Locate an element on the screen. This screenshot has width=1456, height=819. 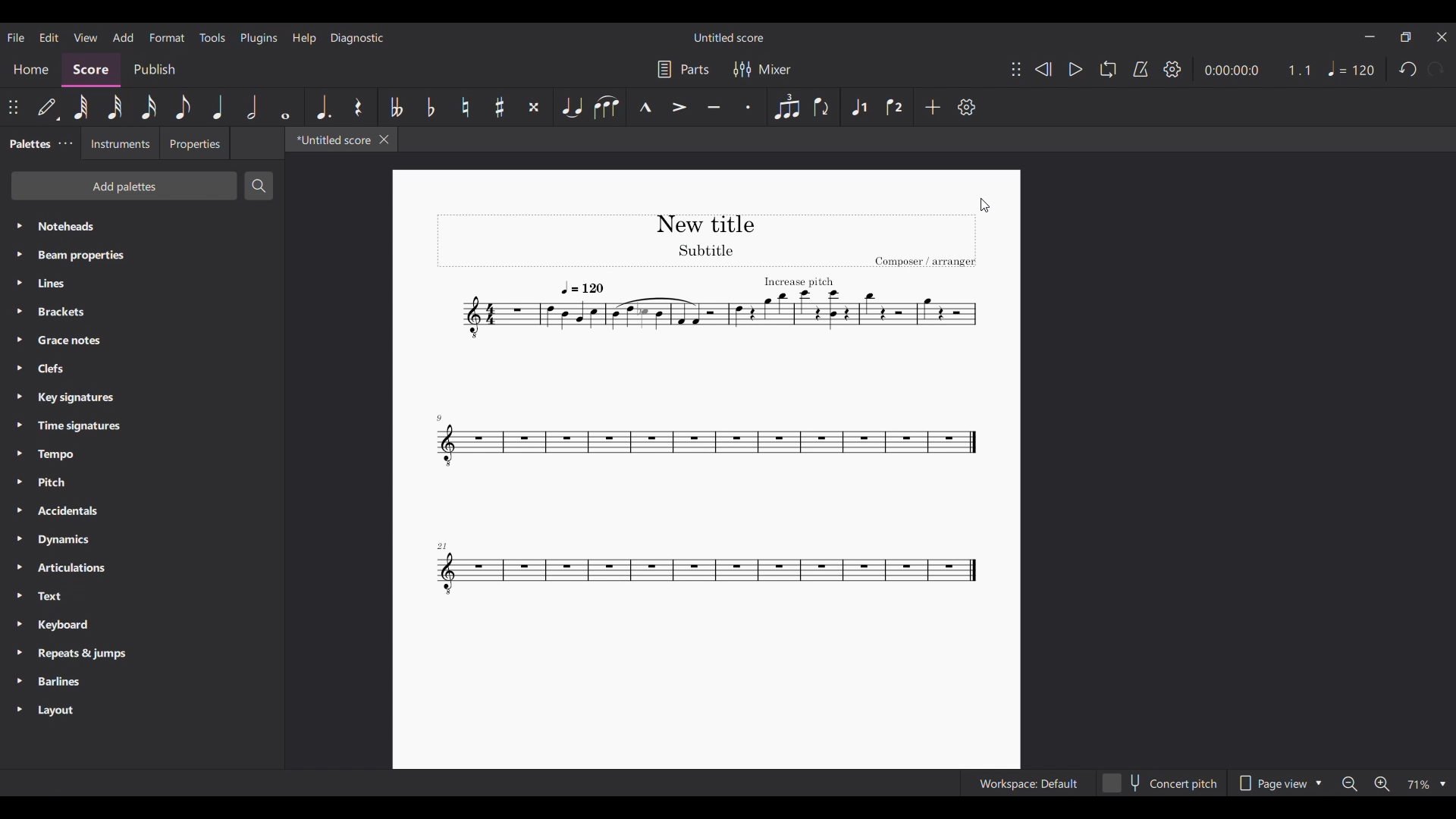
Augmentation dot is located at coordinates (322, 107).